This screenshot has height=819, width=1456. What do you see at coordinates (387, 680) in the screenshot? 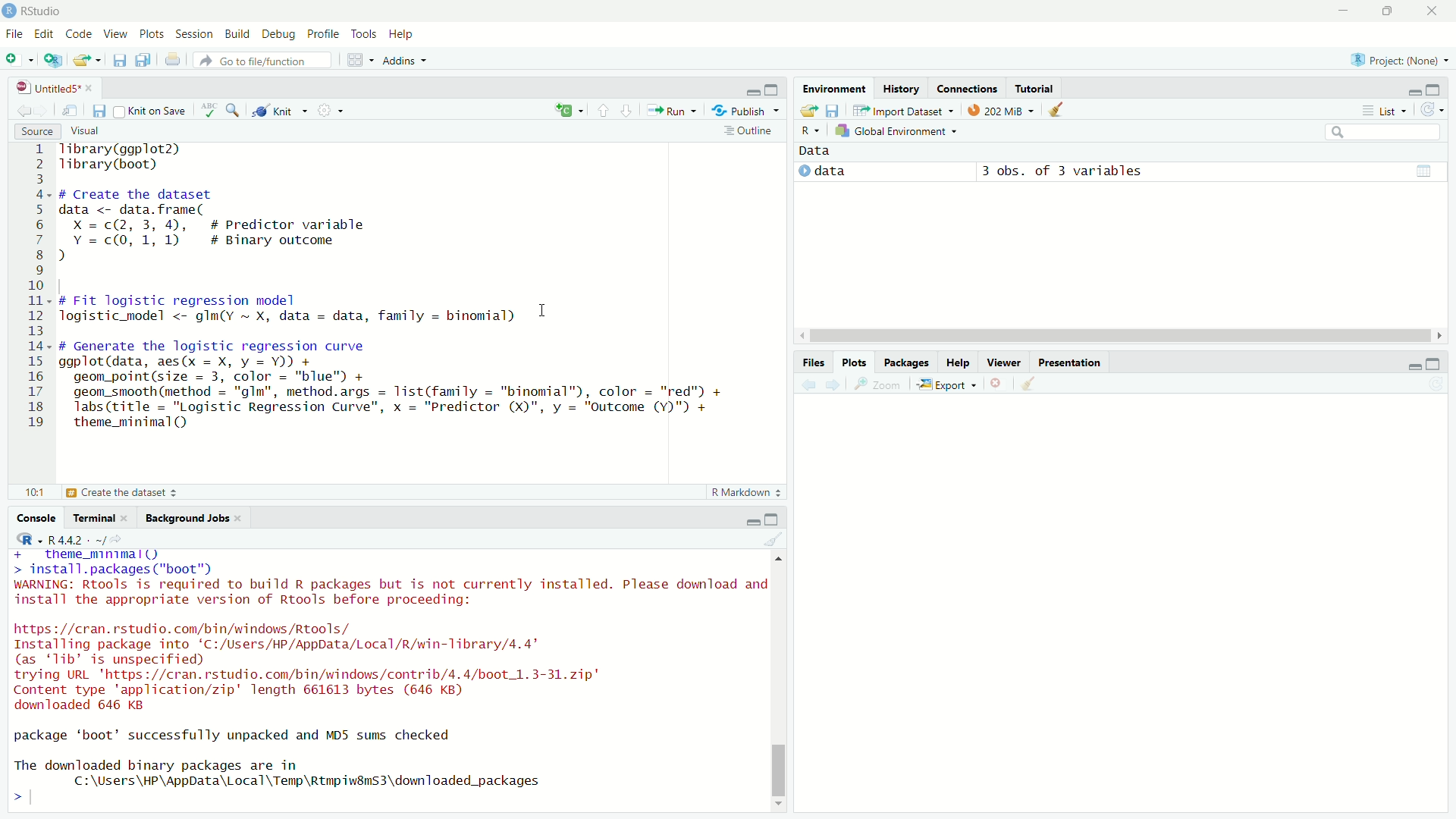
I see `+ theme_minimal()

> install.packages ("boot")

WARNING: Rtools is required to build R packages but is not currently installed. Please download anc

install the appropriate version of Rtools before proceeding:

https://cran.rstudio.com/bin/windows /Rtools/

Installing package into ‘C:/Users/HP/AppData/Local/R/win-library/4.4’

(as ‘1ib’ is unspecified)

trying URL 'https://cran.rstudio.com/bin/windows/contrib/4.4/boot_1.3-31.zip"

Content type 'application/zip' length 661613 bytes (646 KB)

downloaded 646 KB

package ‘boot’ successfully unpacked and MDS sums checked

The downloaded binary packages are in
C:\Users\HP\AppData\Local\Temp\Rtmpiw8mS3\downloaded_packages

>` at bounding box center [387, 680].